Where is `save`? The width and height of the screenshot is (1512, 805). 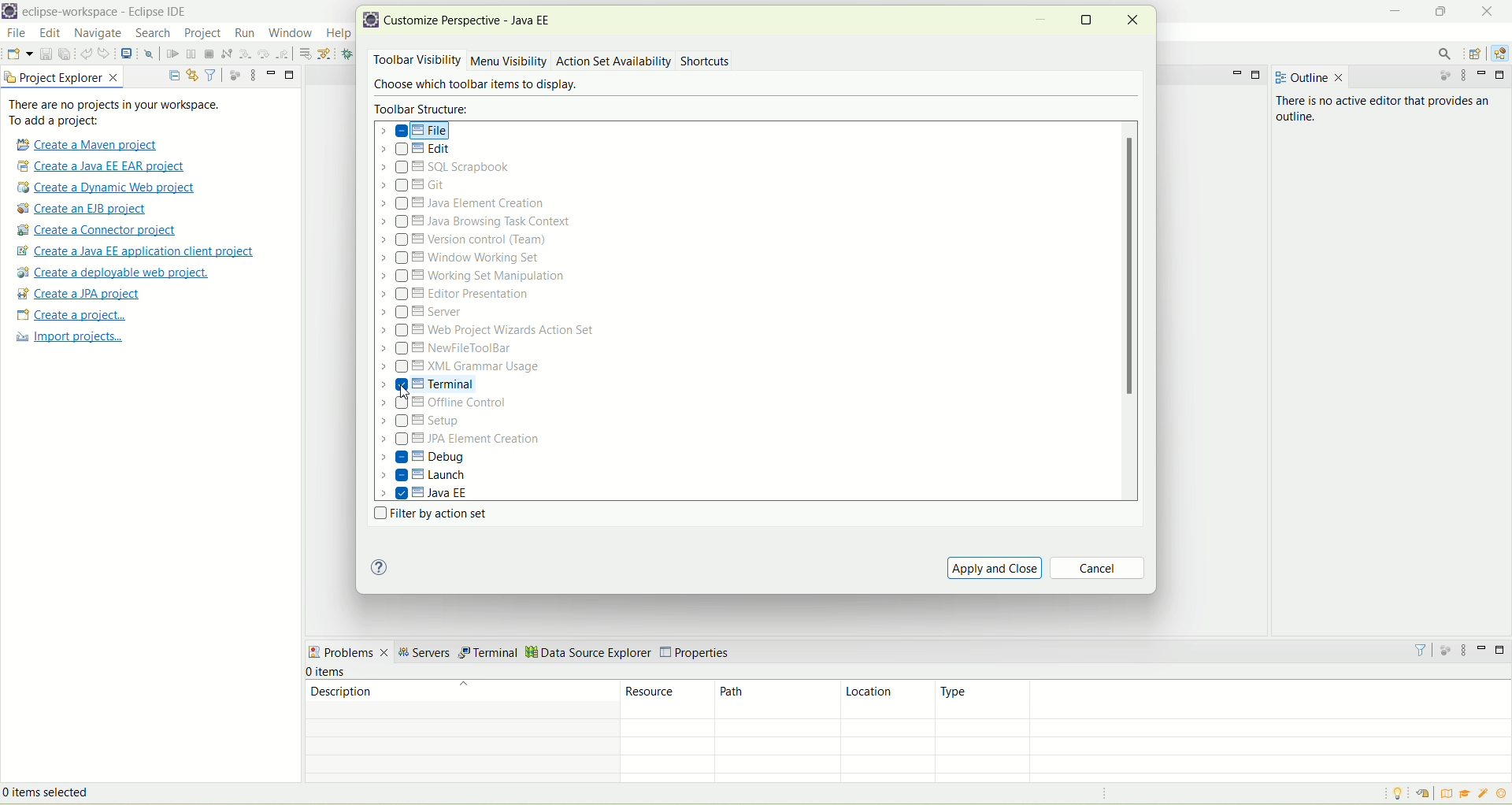 save is located at coordinates (44, 54).